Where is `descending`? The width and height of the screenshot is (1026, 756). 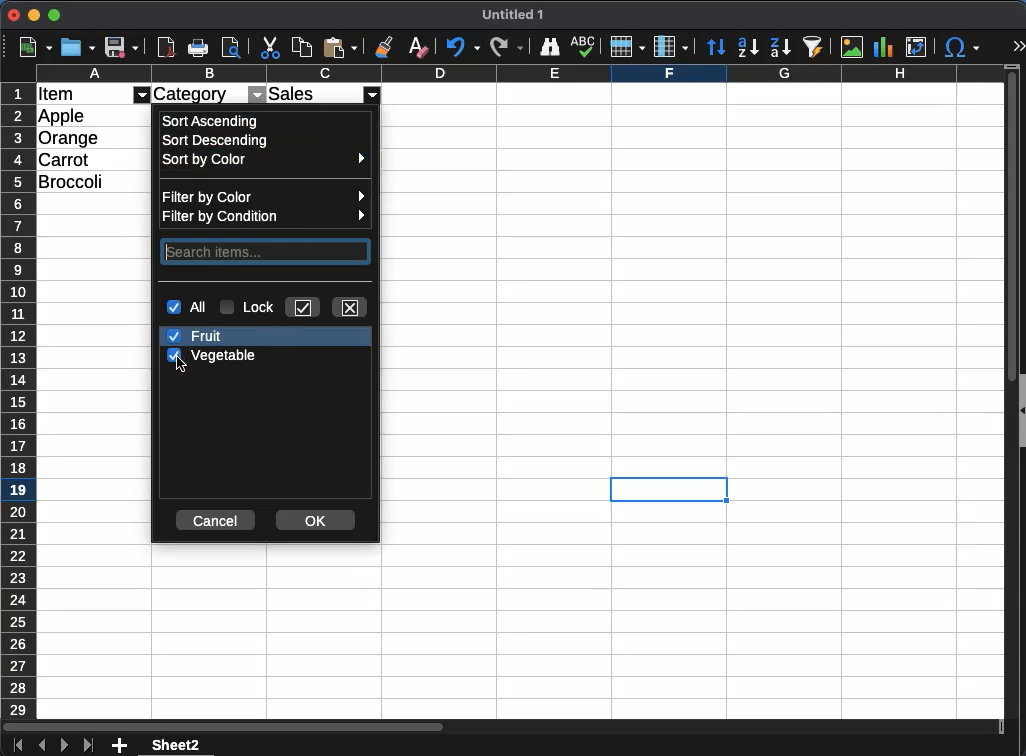 descending is located at coordinates (747, 48).